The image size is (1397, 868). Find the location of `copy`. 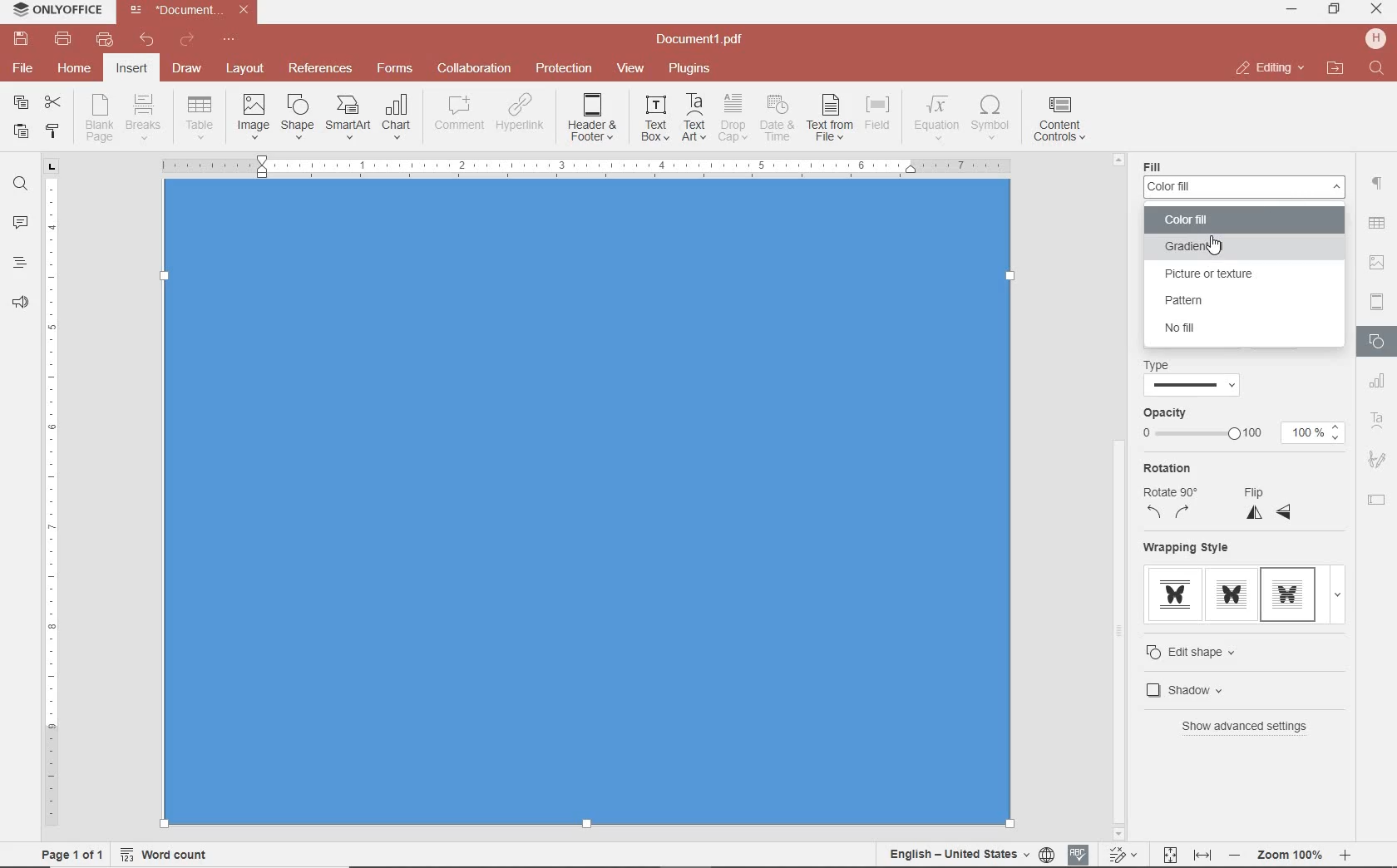

copy is located at coordinates (21, 104).